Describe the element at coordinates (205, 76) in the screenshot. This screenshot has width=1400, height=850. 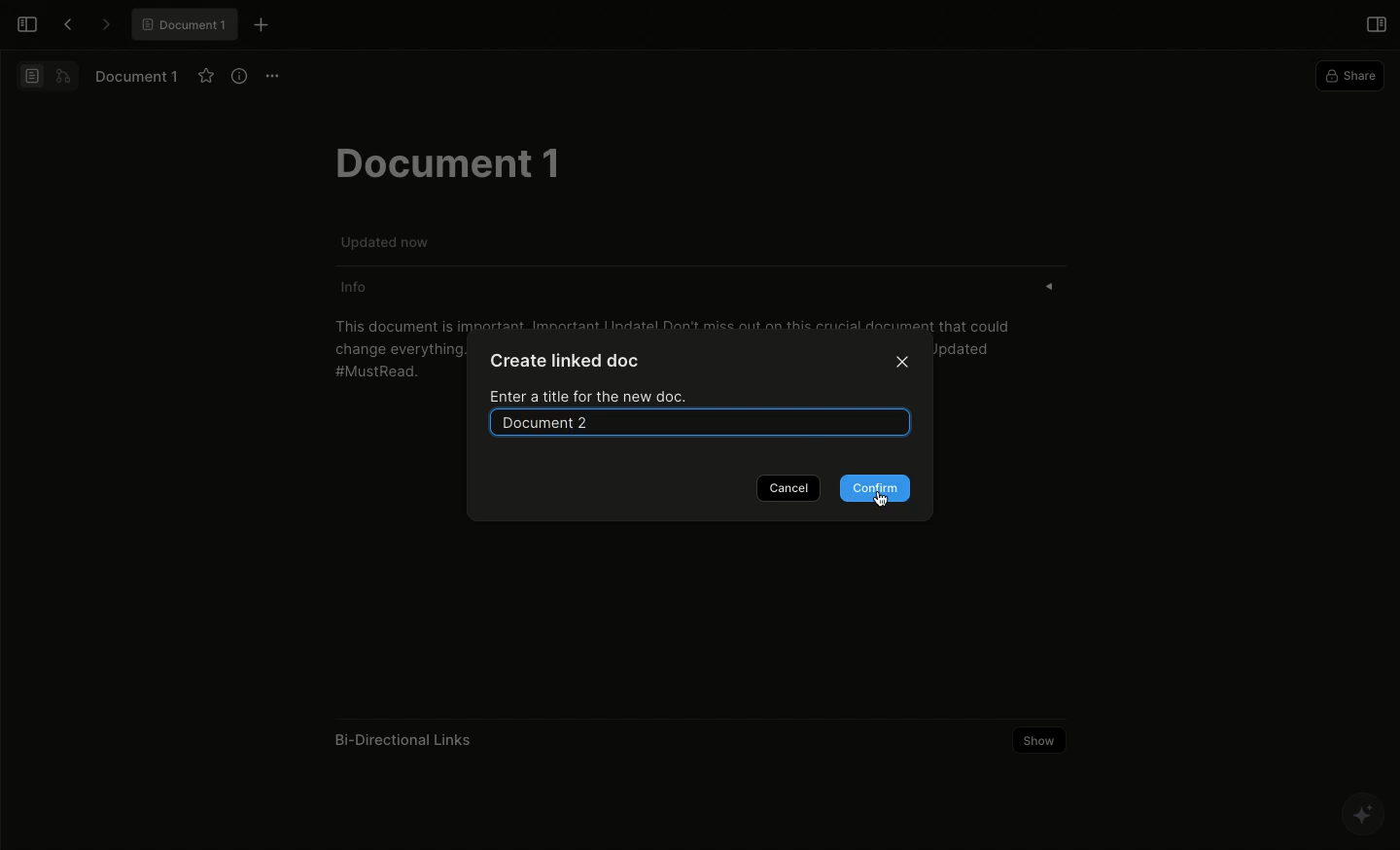
I see `Favourite` at that location.